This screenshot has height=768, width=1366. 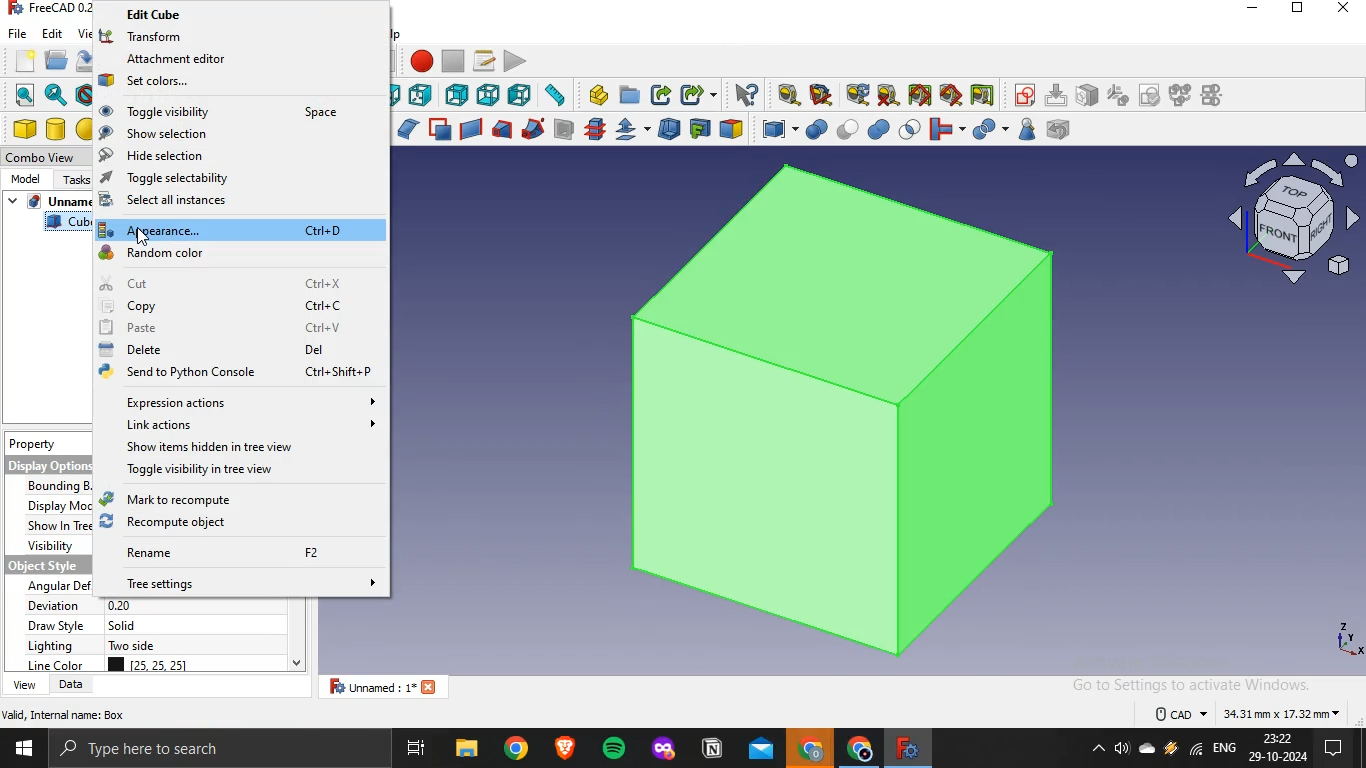 What do you see at coordinates (857, 94) in the screenshot?
I see `refresh` at bounding box center [857, 94].